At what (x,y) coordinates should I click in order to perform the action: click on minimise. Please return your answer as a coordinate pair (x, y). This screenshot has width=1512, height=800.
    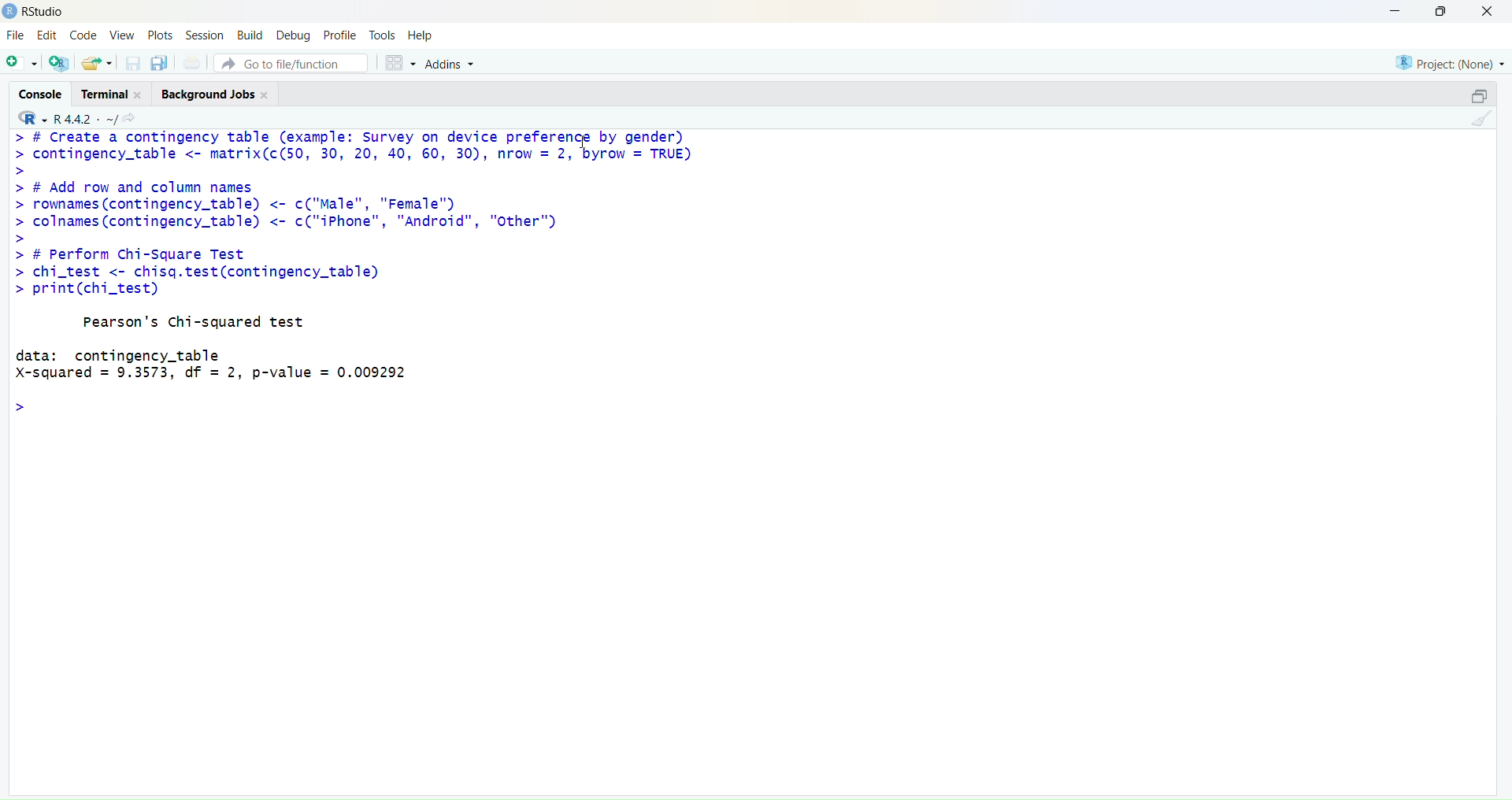
    Looking at the image, I should click on (1398, 9).